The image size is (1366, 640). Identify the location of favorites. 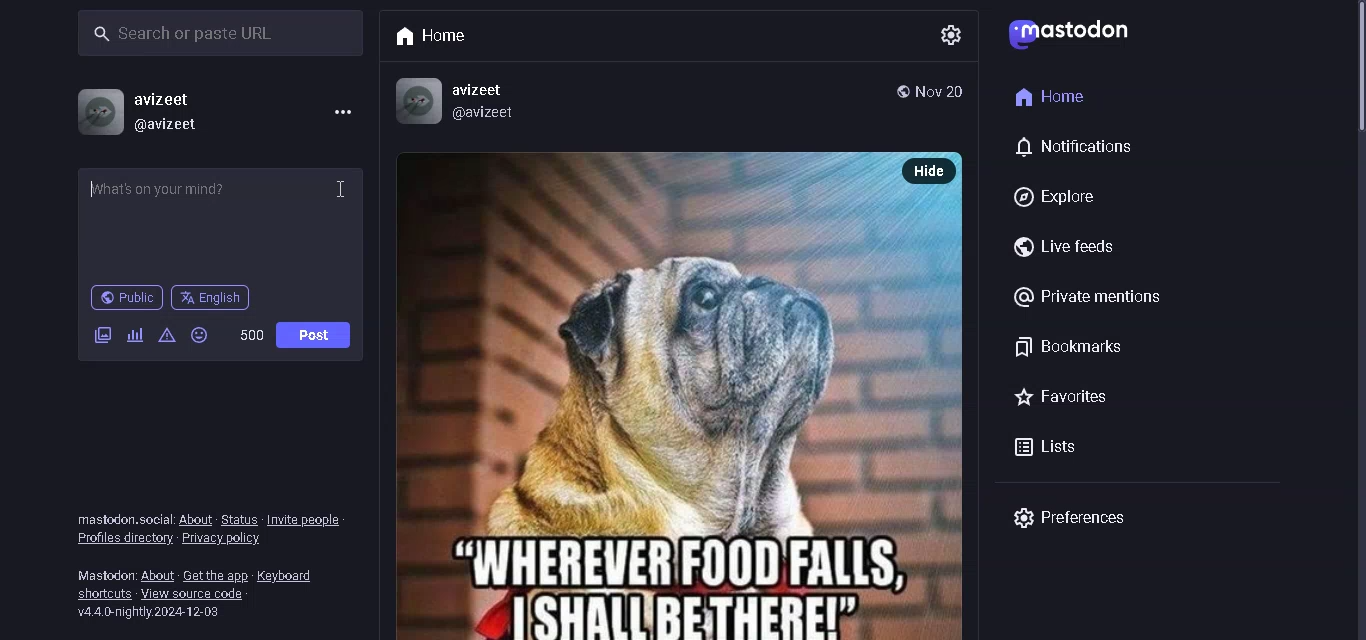
(1079, 398).